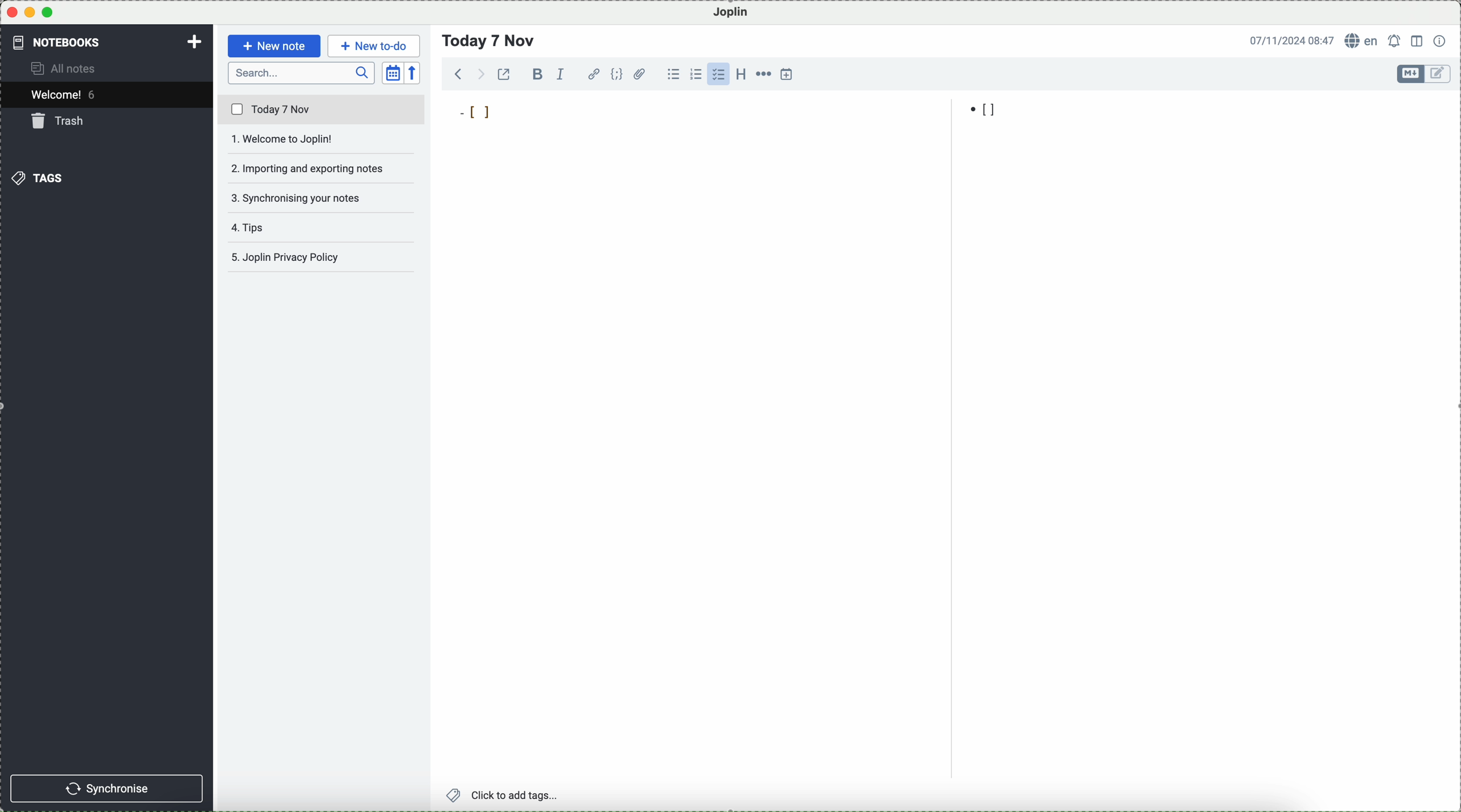  I want to click on tags, so click(37, 178).